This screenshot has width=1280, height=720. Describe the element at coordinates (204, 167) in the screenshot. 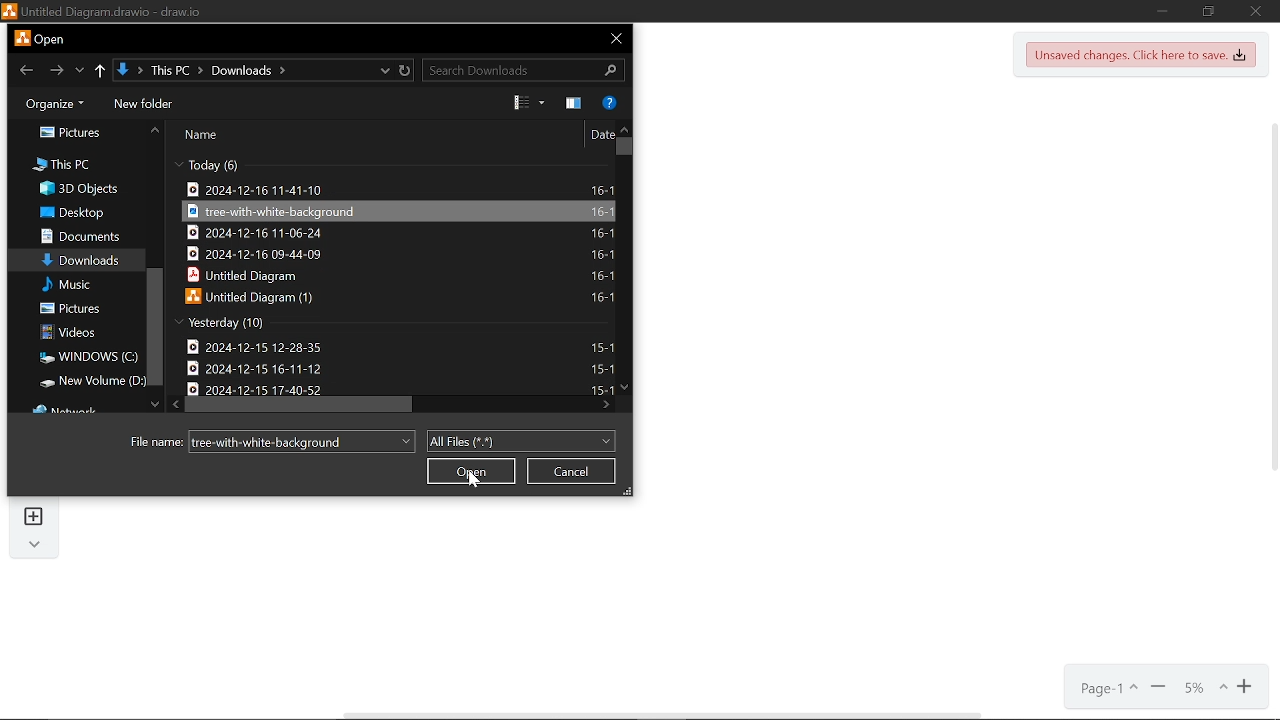

I see `files creation date` at that location.